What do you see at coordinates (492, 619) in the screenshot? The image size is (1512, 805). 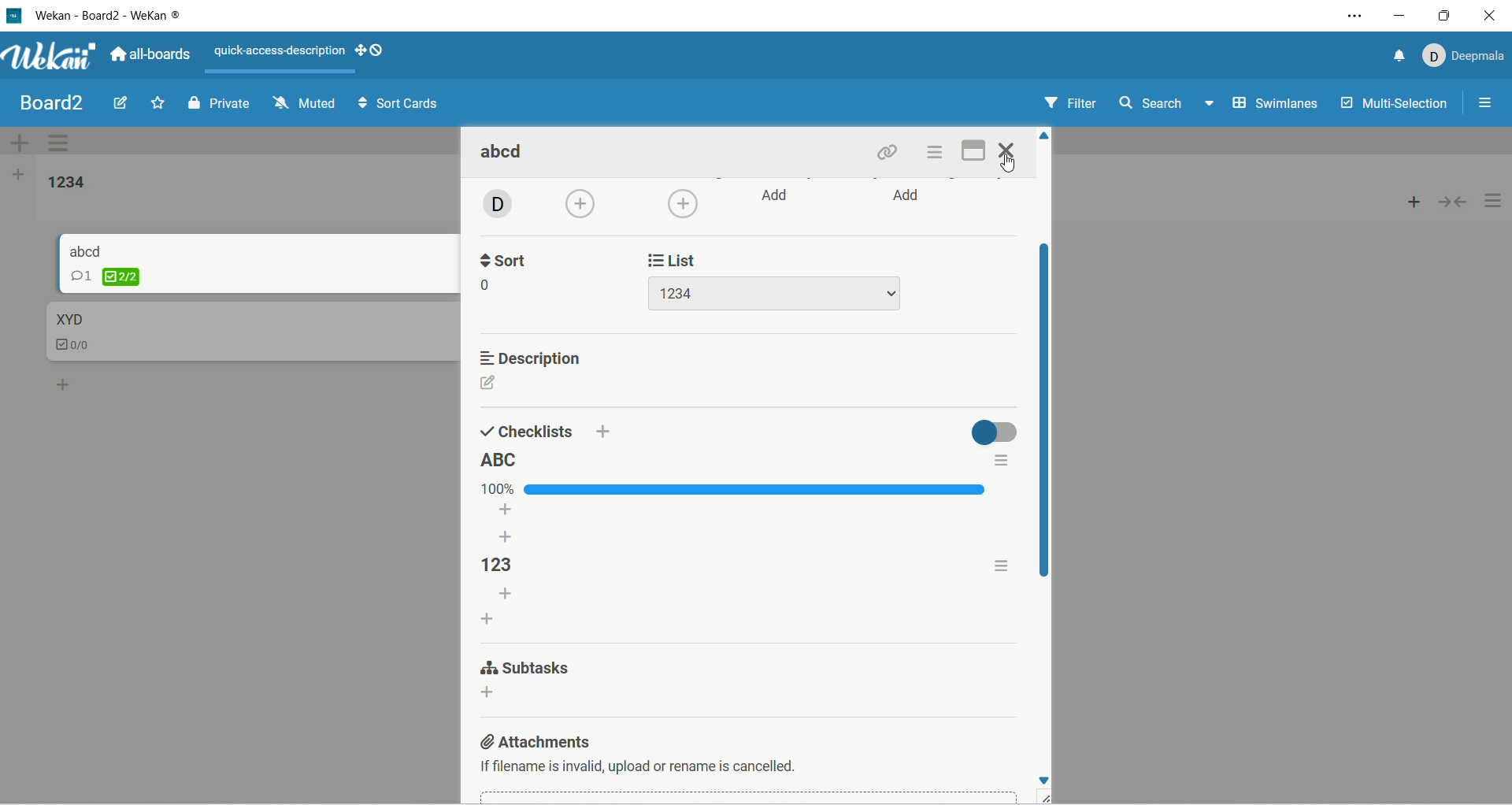 I see `add` at bounding box center [492, 619].